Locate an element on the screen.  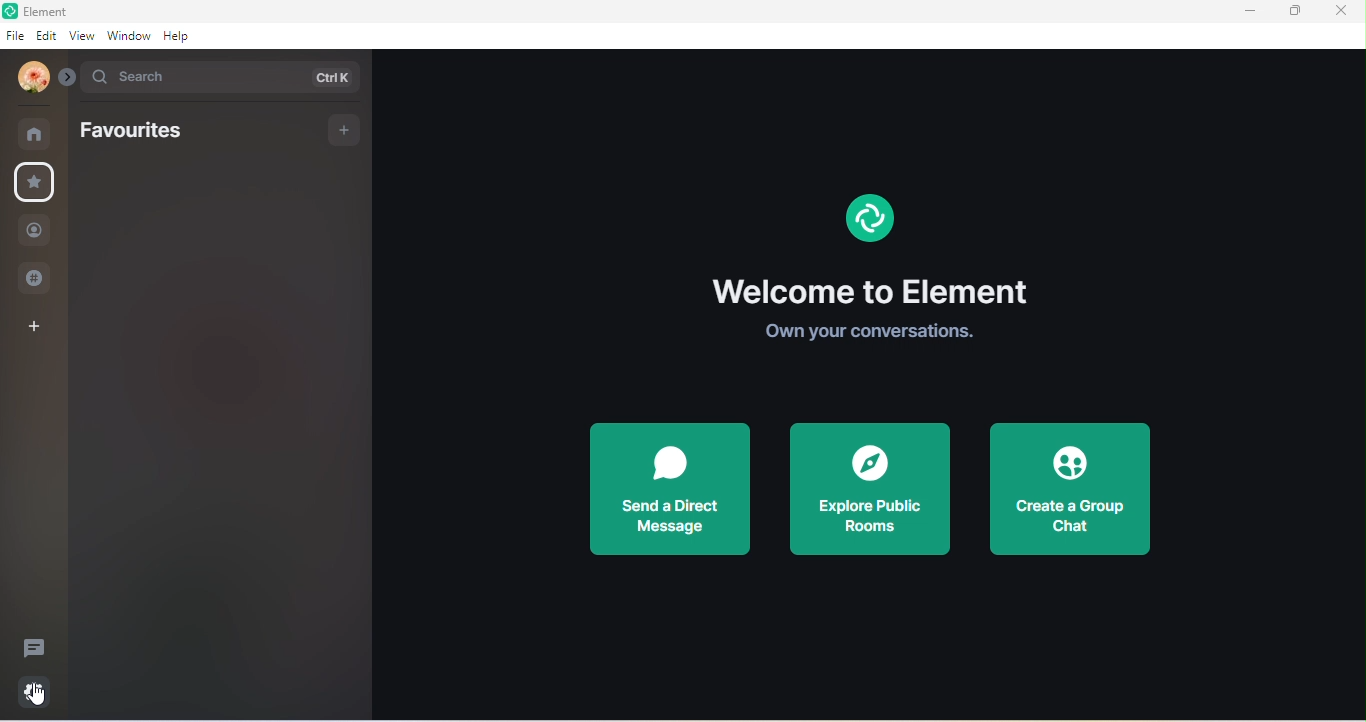
create a group chat is located at coordinates (1069, 490).